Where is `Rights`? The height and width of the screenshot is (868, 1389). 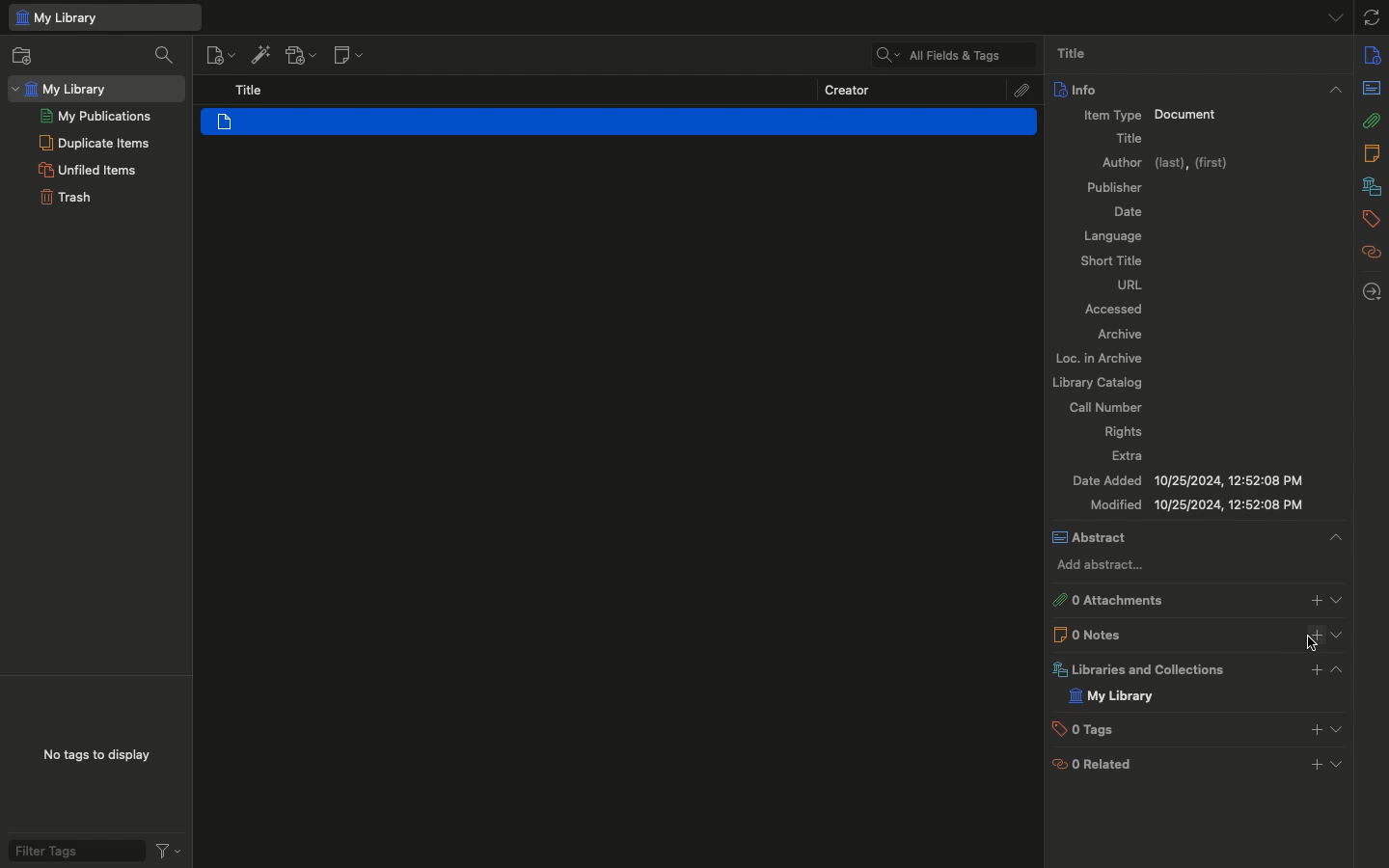
Rights is located at coordinates (1119, 433).